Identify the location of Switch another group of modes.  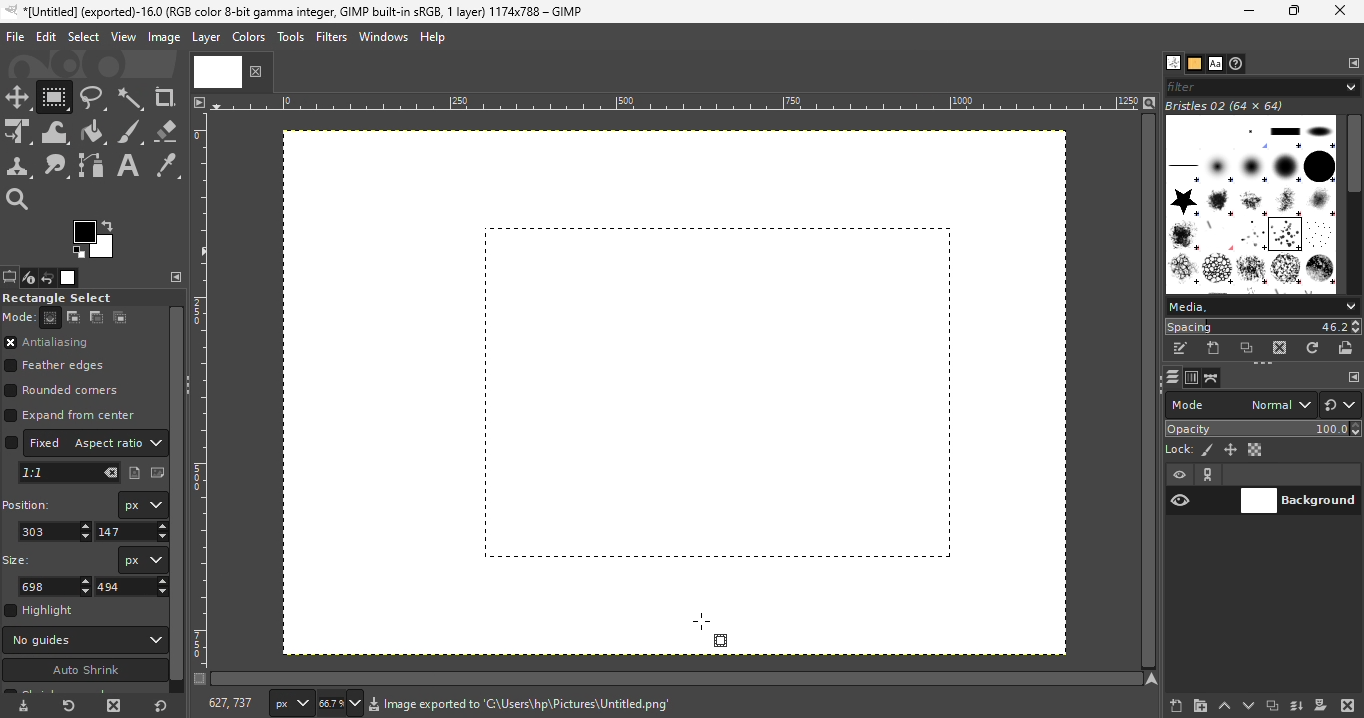
(1342, 404).